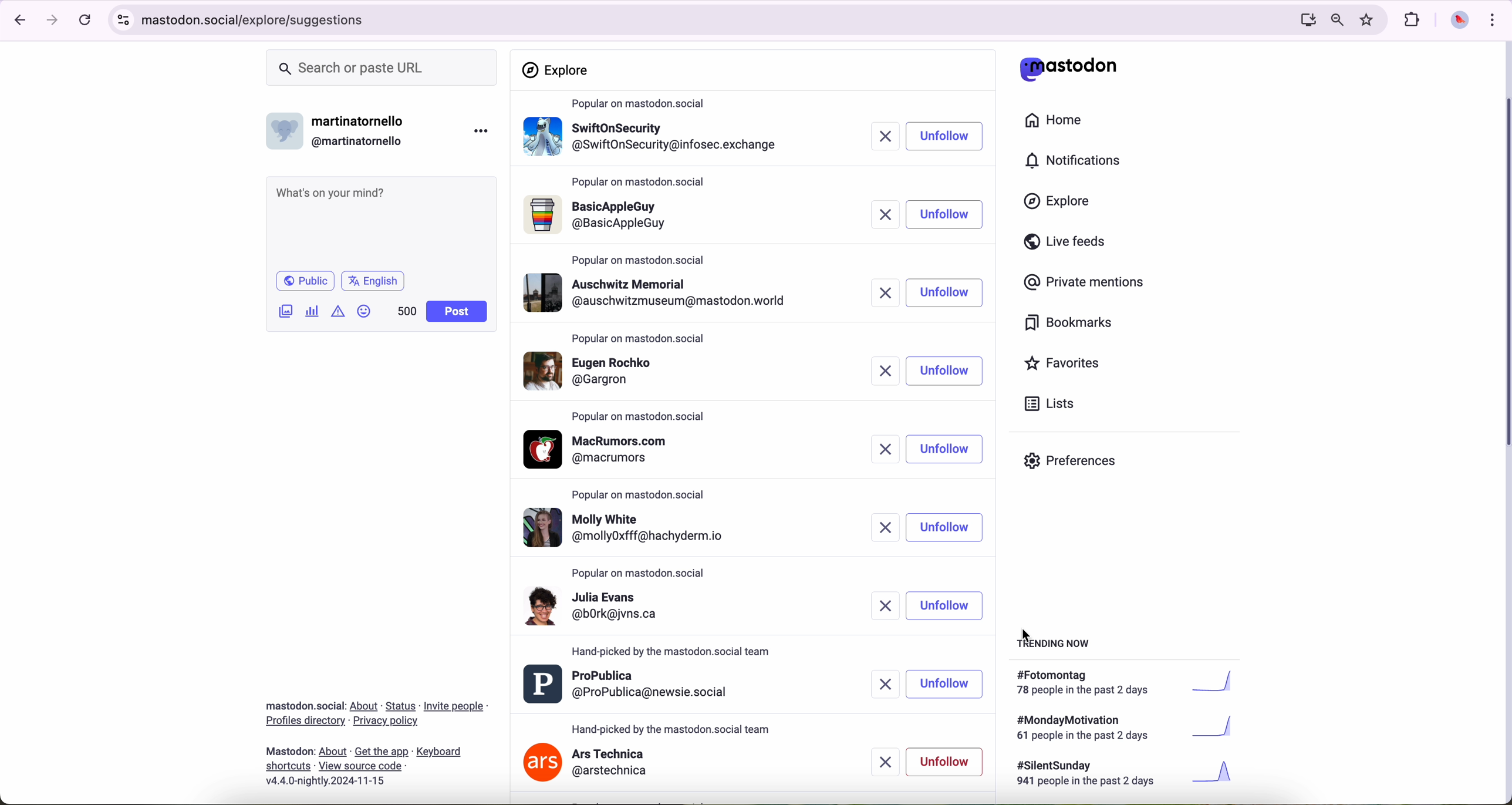 This screenshot has width=1512, height=805. I want to click on remove, so click(878, 607).